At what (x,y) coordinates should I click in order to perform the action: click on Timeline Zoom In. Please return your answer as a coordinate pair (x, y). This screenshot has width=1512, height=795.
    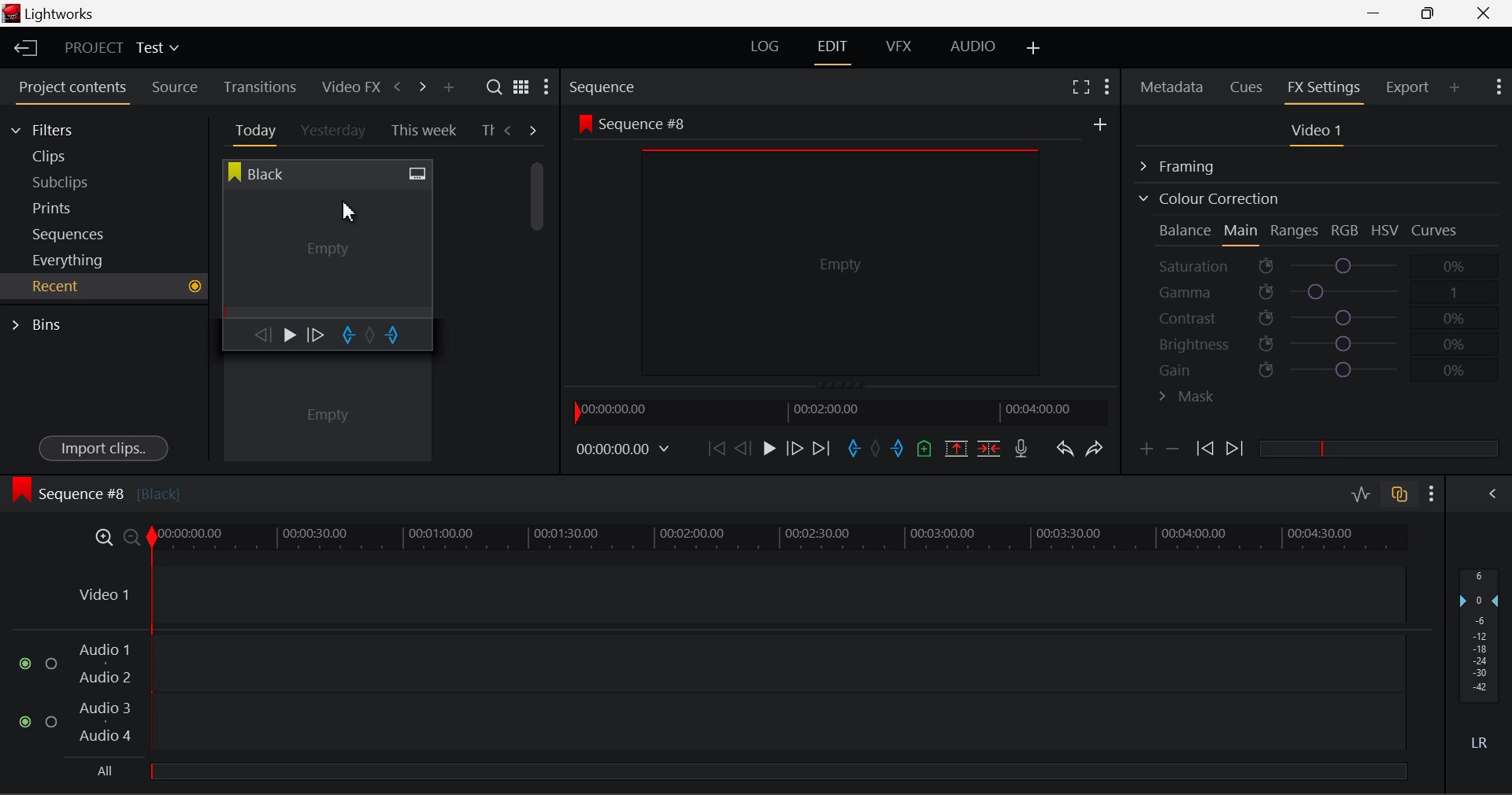
    Looking at the image, I should click on (101, 537).